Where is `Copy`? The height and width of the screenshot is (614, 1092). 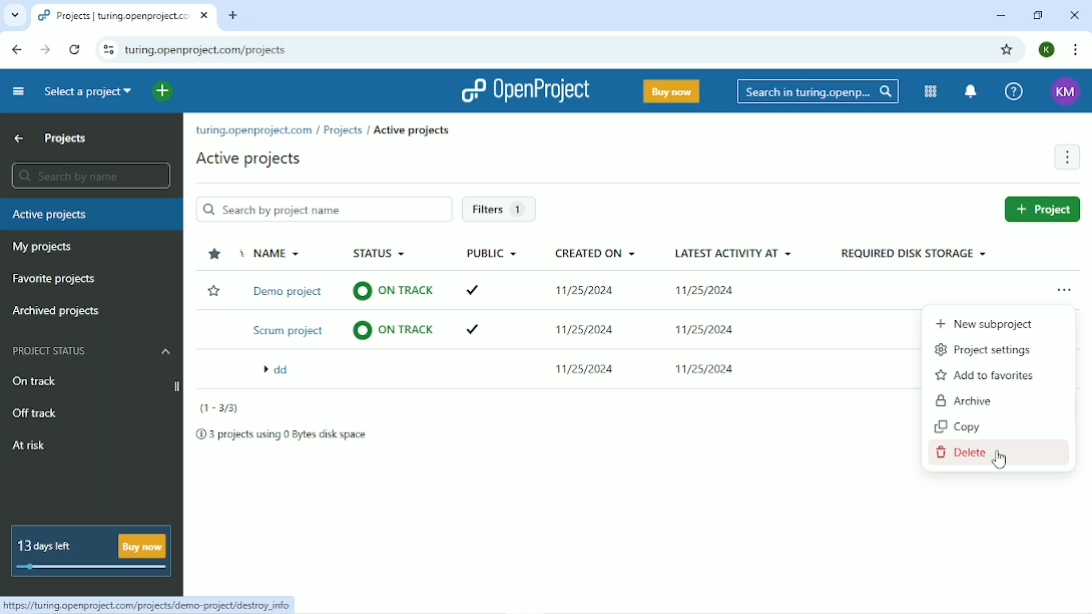
Copy is located at coordinates (958, 426).